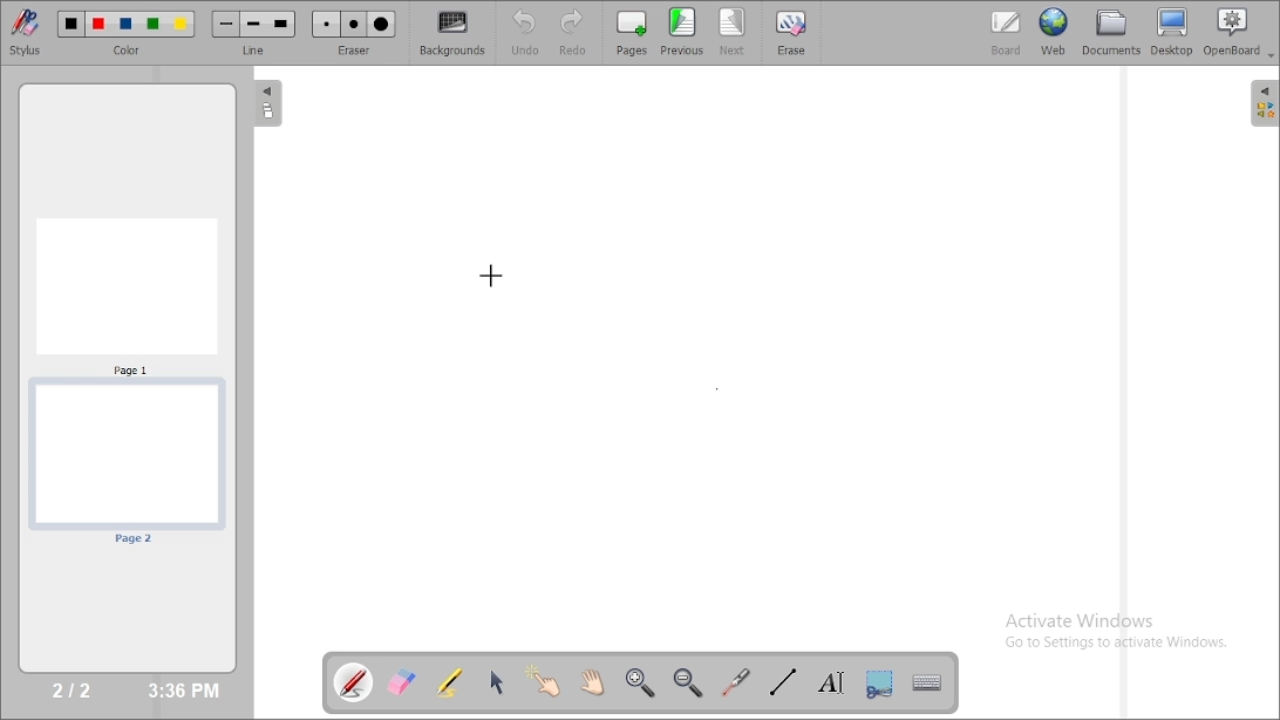  What do you see at coordinates (403, 682) in the screenshot?
I see `erase annotation` at bounding box center [403, 682].